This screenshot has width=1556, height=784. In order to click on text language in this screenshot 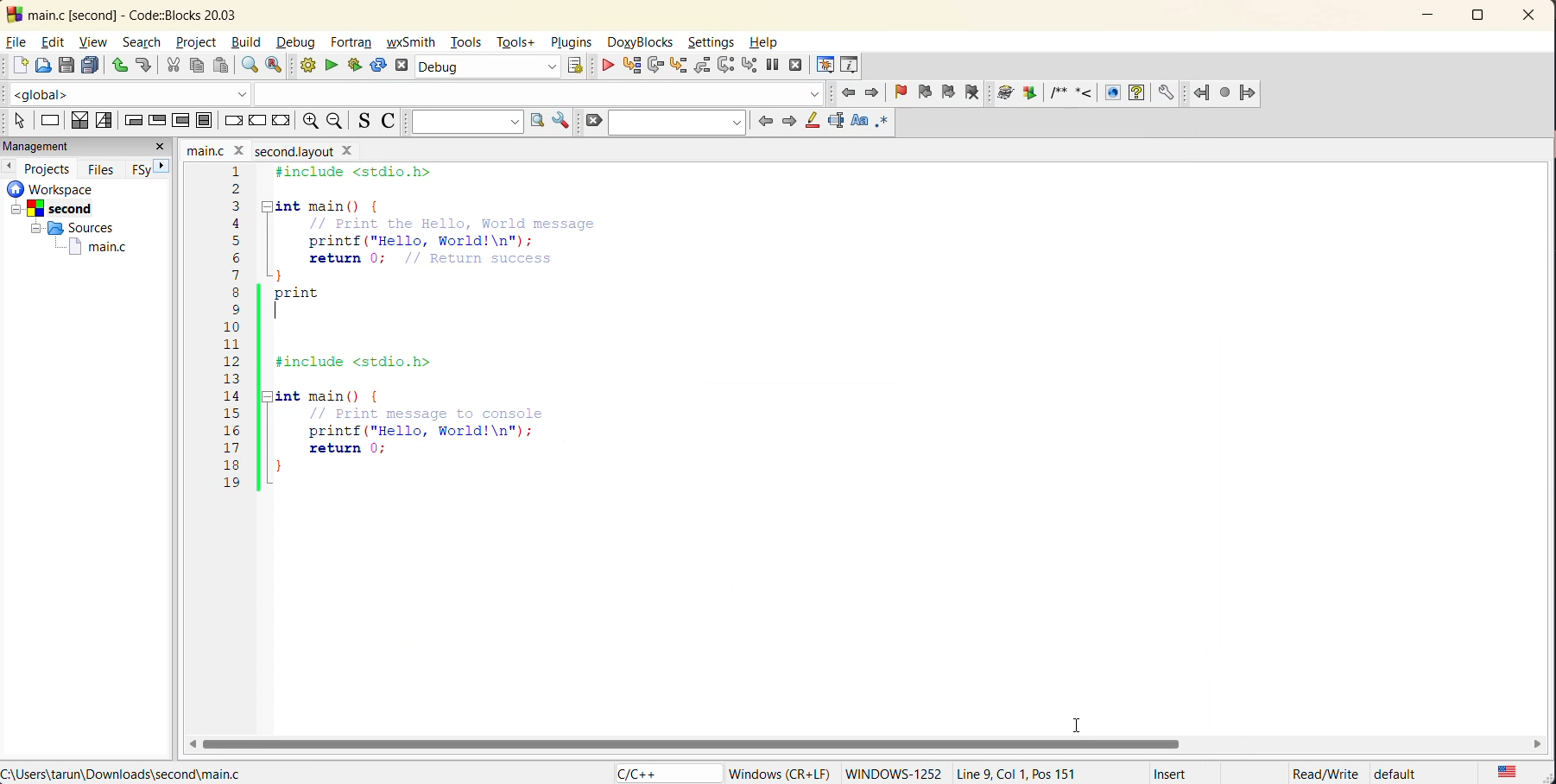, I will do `click(1506, 771)`.